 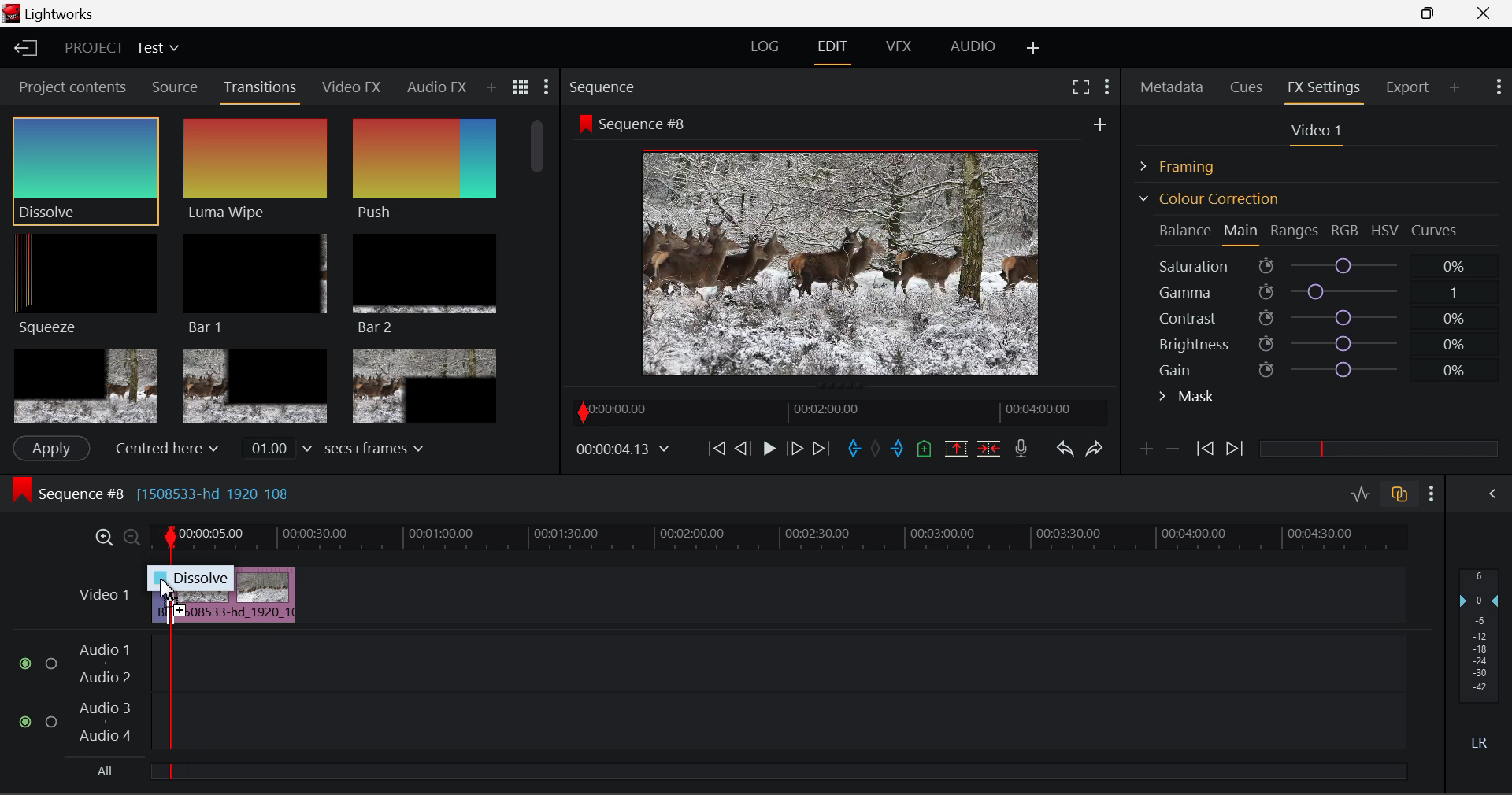 What do you see at coordinates (1497, 85) in the screenshot?
I see `Show Settings` at bounding box center [1497, 85].